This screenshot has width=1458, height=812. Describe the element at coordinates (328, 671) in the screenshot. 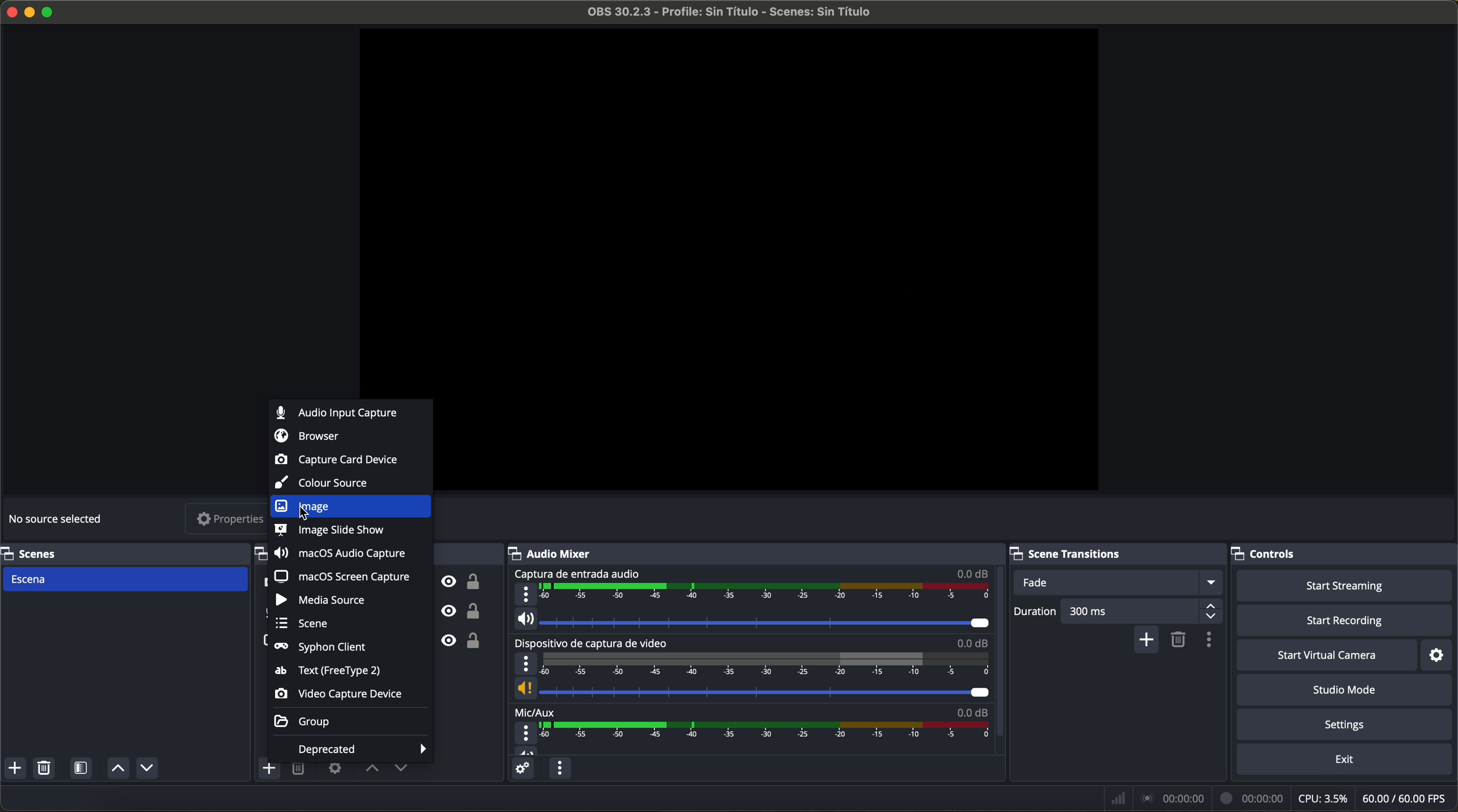

I see `text` at that location.